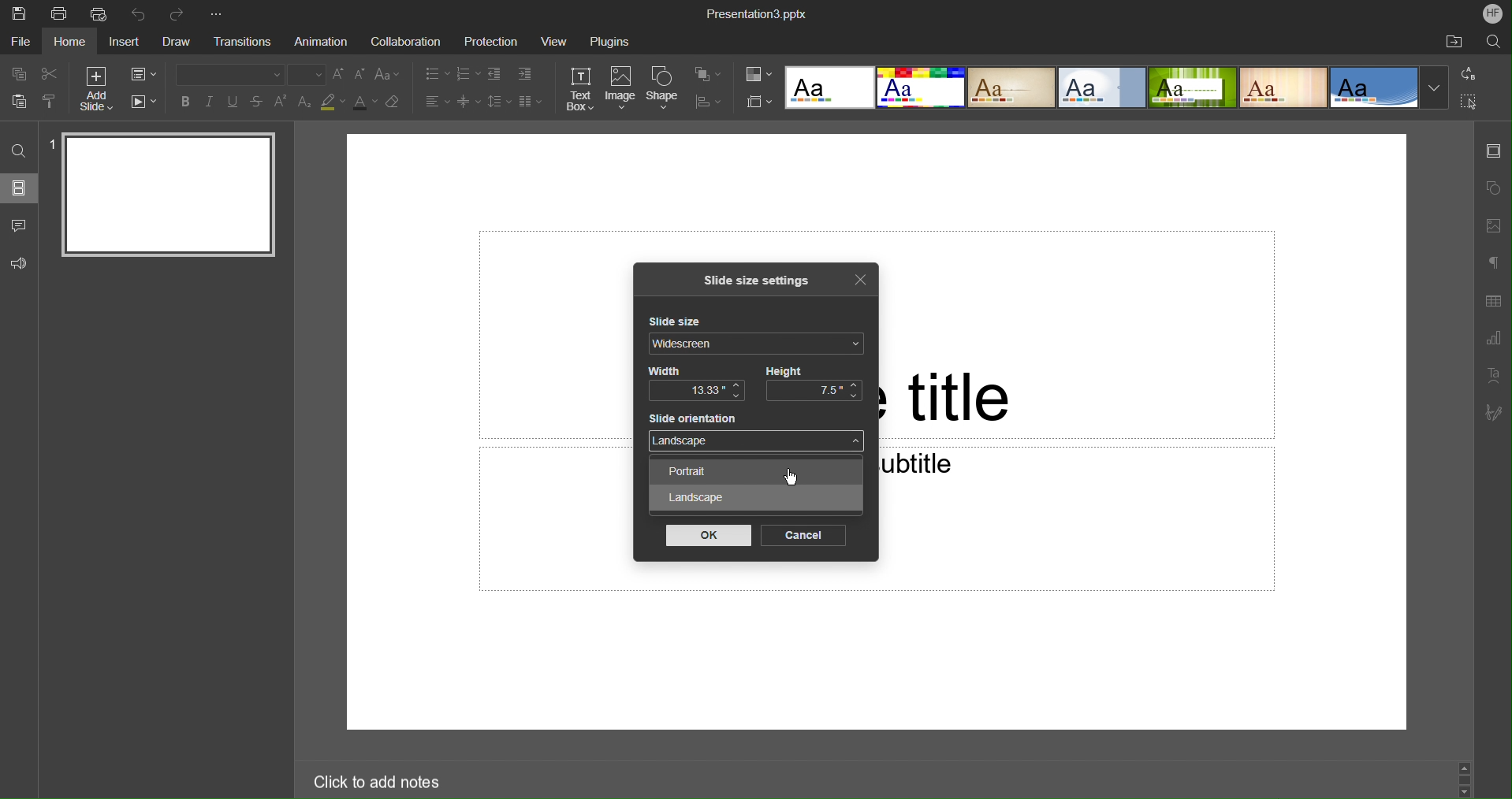 The image size is (1512, 799). Describe the element at coordinates (552, 43) in the screenshot. I see `View` at that location.